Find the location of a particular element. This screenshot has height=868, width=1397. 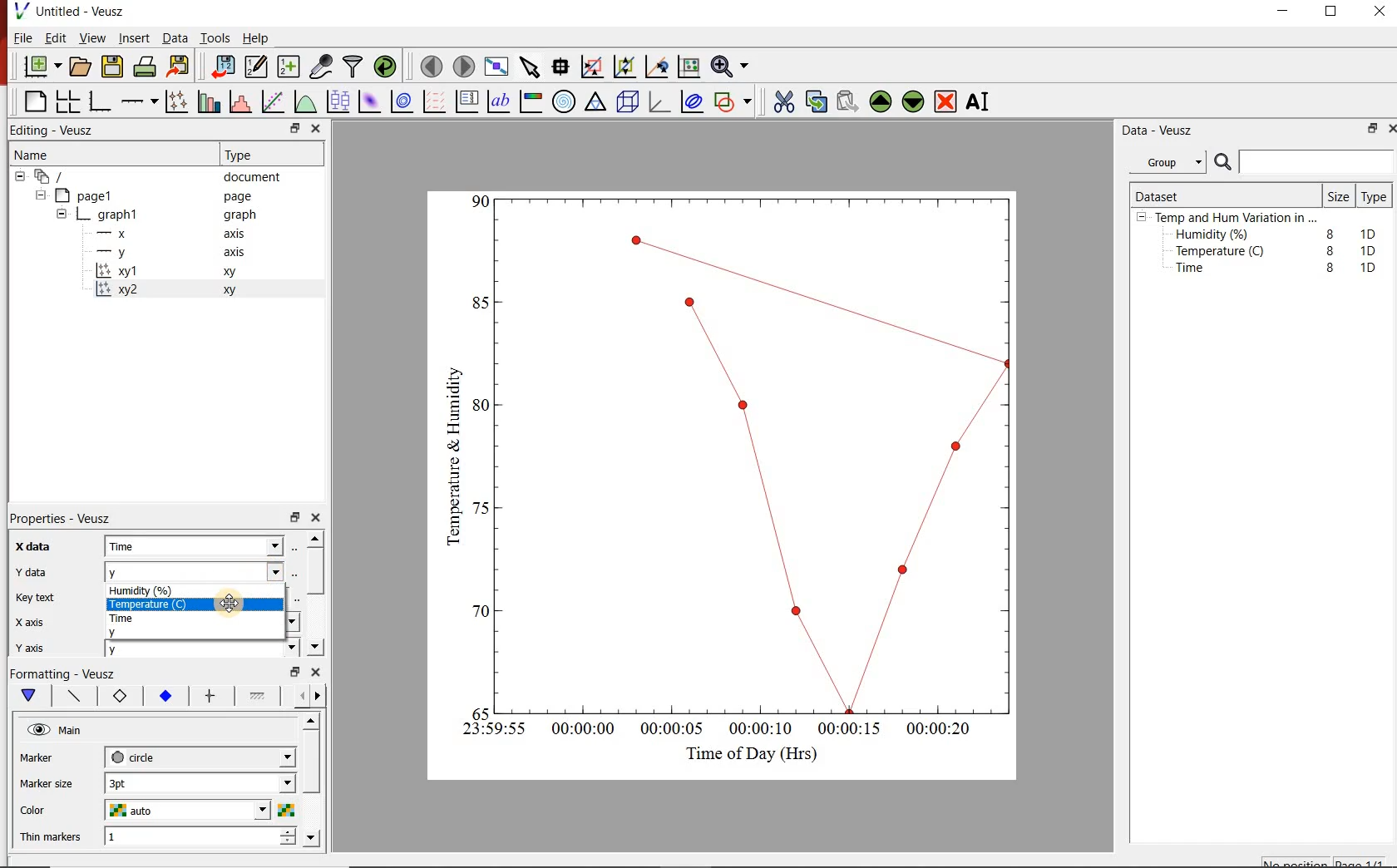

Plot points with lines and error bars is located at coordinates (176, 100).